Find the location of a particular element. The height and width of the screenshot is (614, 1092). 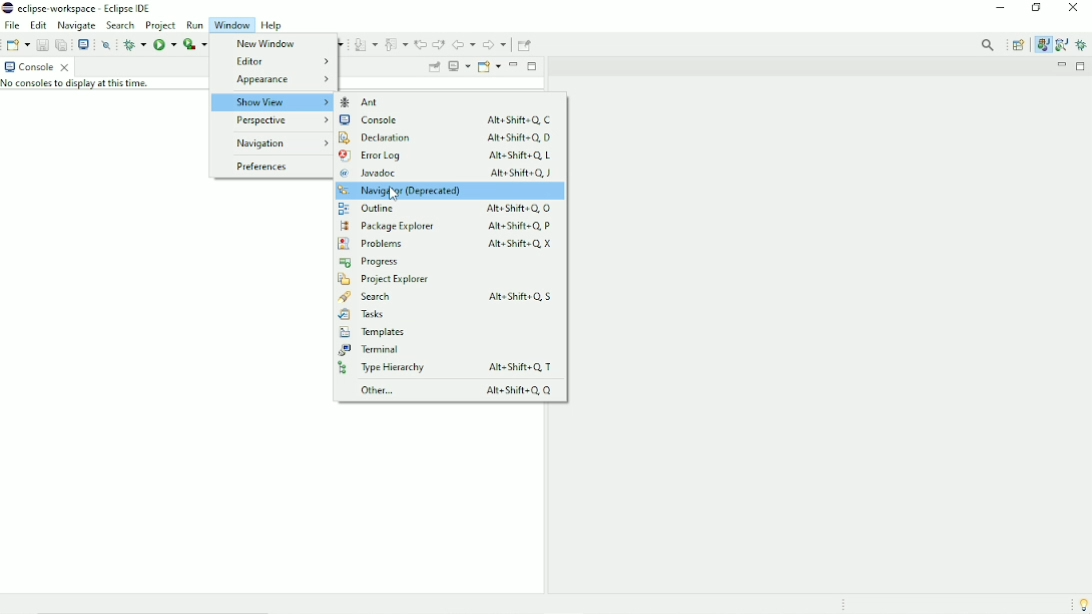

Next edit location is located at coordinates (438, 44).